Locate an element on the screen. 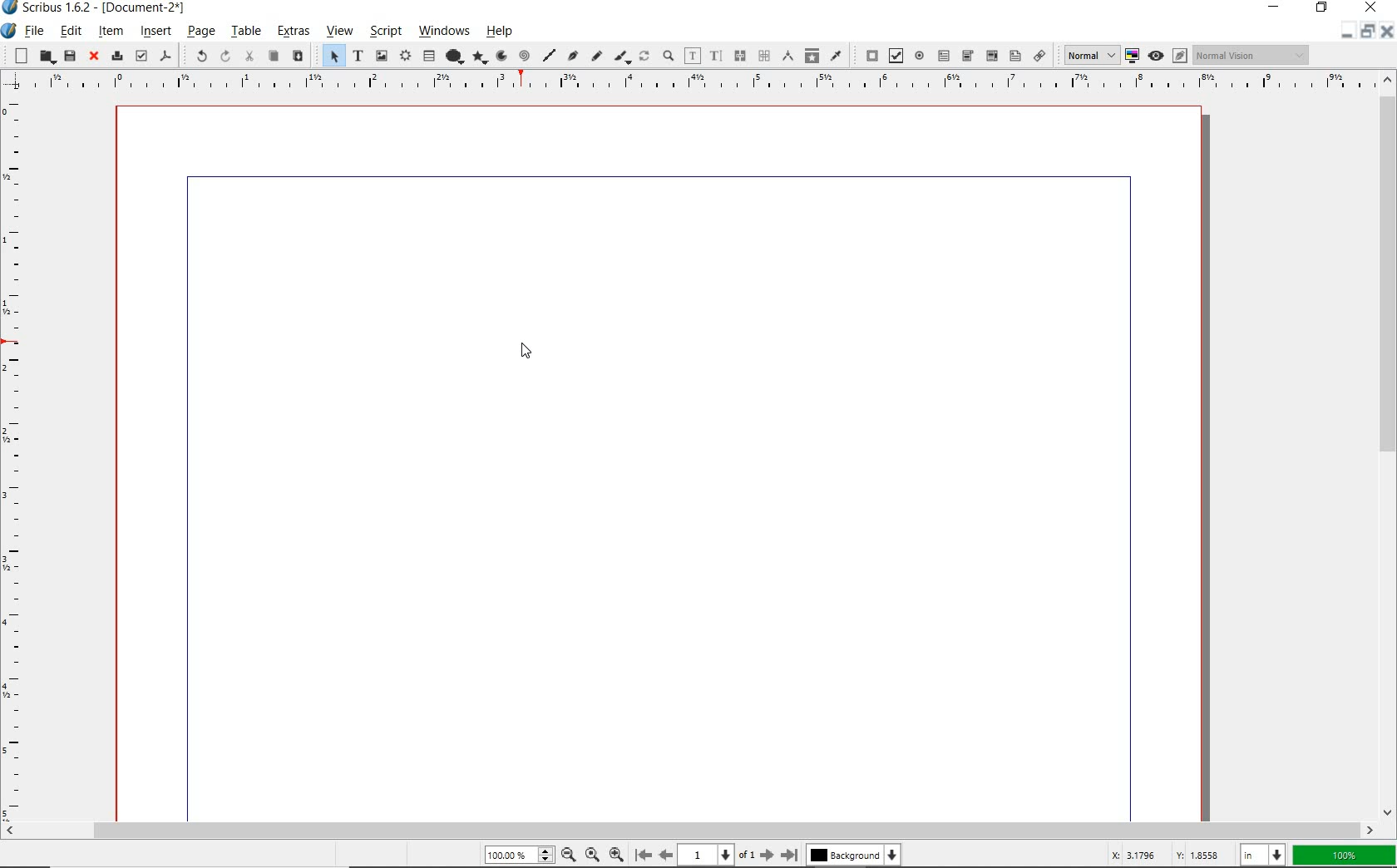 The height and width of the screenshot is (868, 1397). close document is located at coordinates (1385, 31).